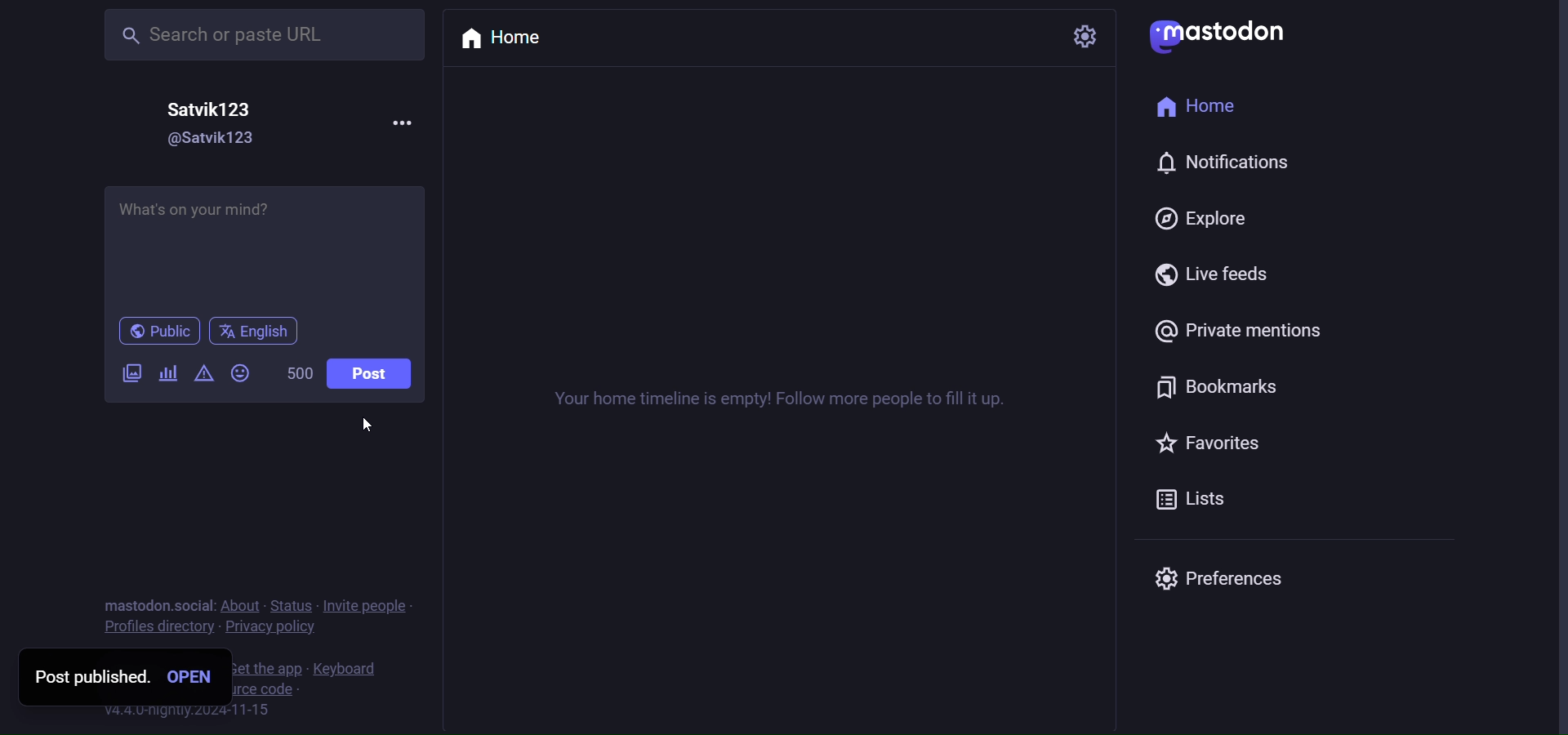 The image size is (1568, 735). I want to click on lists, so click(1205, 503).